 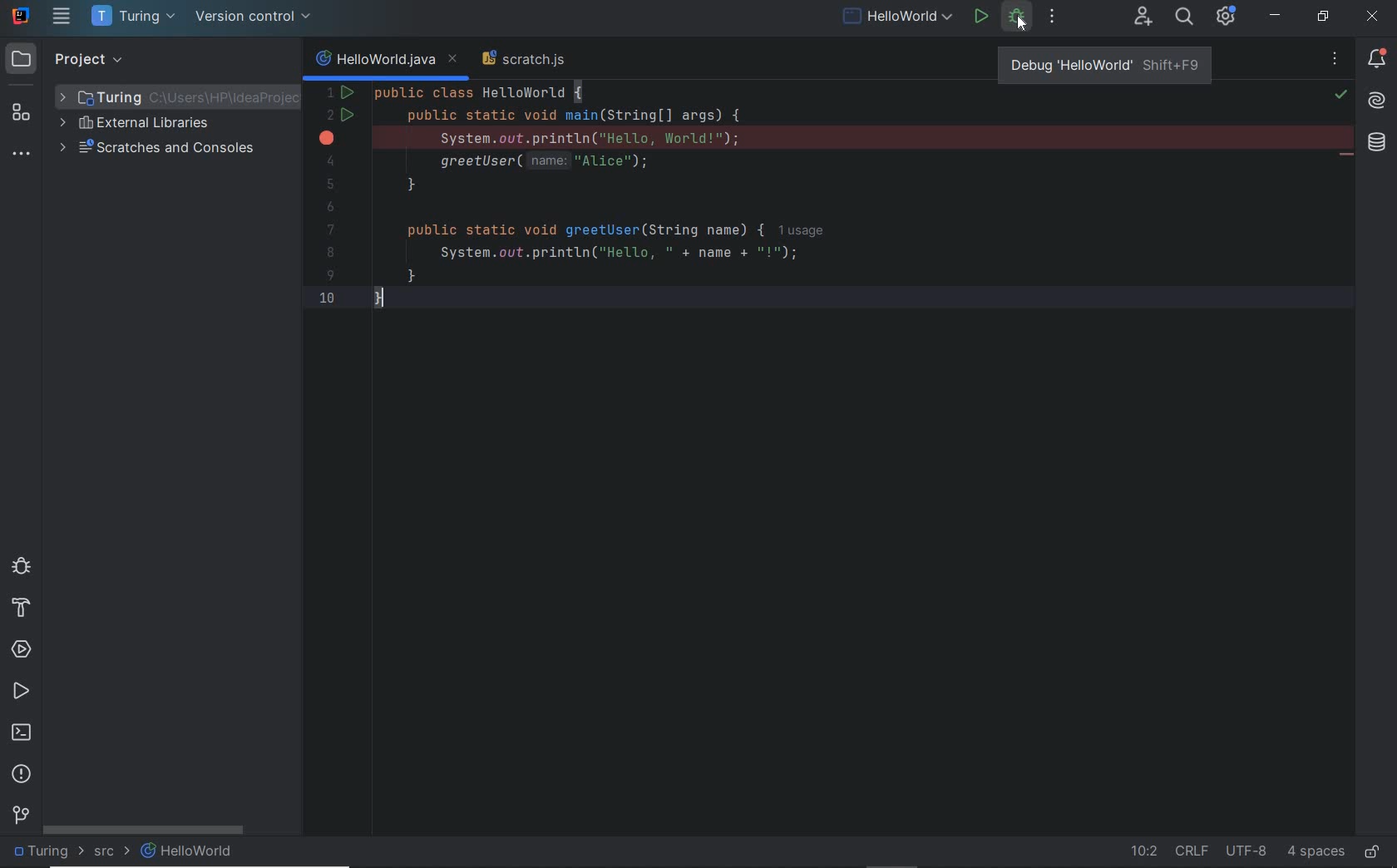 I want to click on more actions, so click(x=1054, y=17).